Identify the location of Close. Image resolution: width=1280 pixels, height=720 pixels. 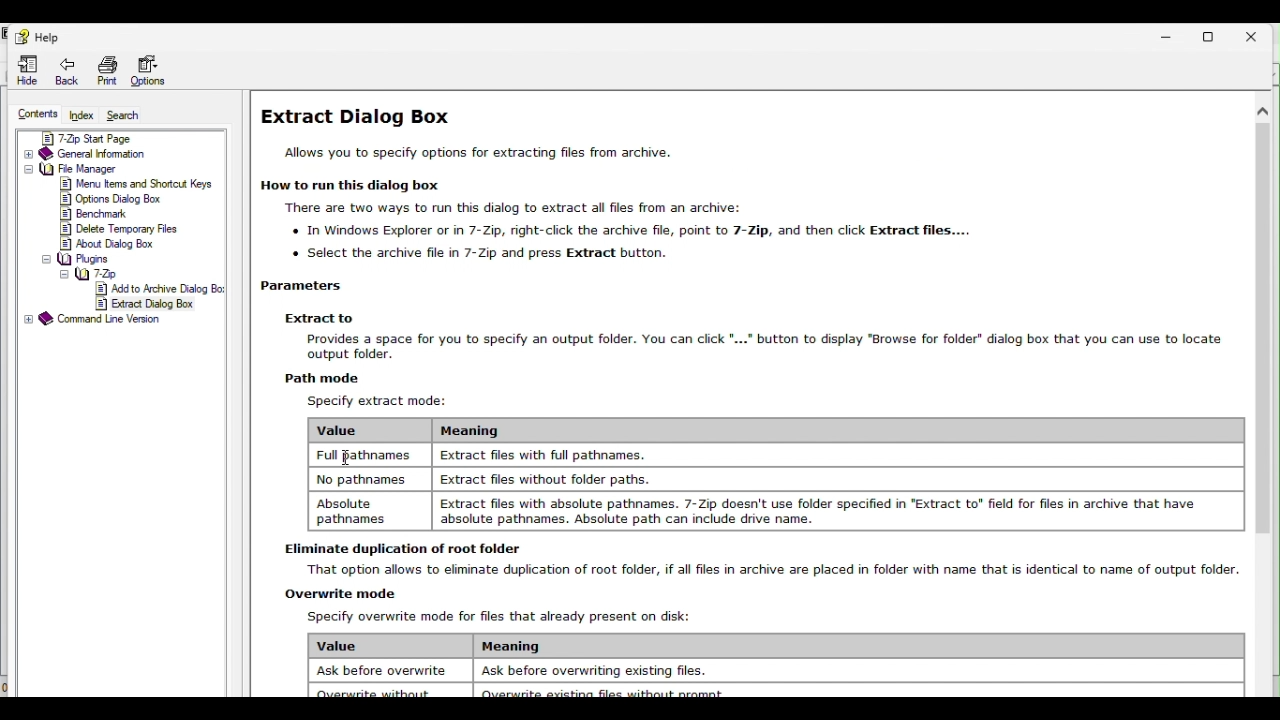
(1252, 36).